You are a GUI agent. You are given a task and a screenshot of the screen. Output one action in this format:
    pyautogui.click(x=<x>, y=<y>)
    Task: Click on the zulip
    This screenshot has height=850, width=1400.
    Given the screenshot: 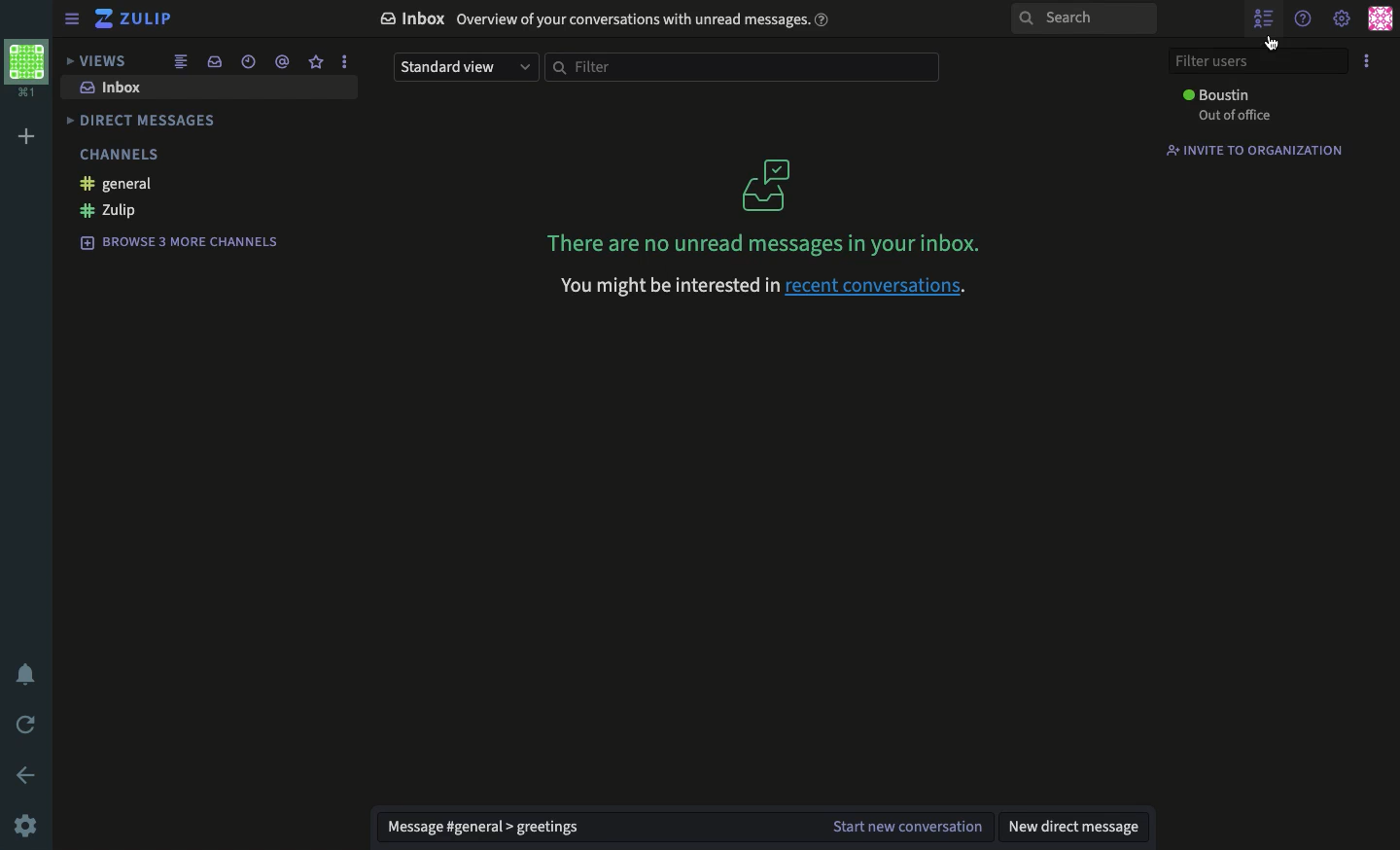 What is the action you would take?
    pyautogui.click(x=134, y=18)
    